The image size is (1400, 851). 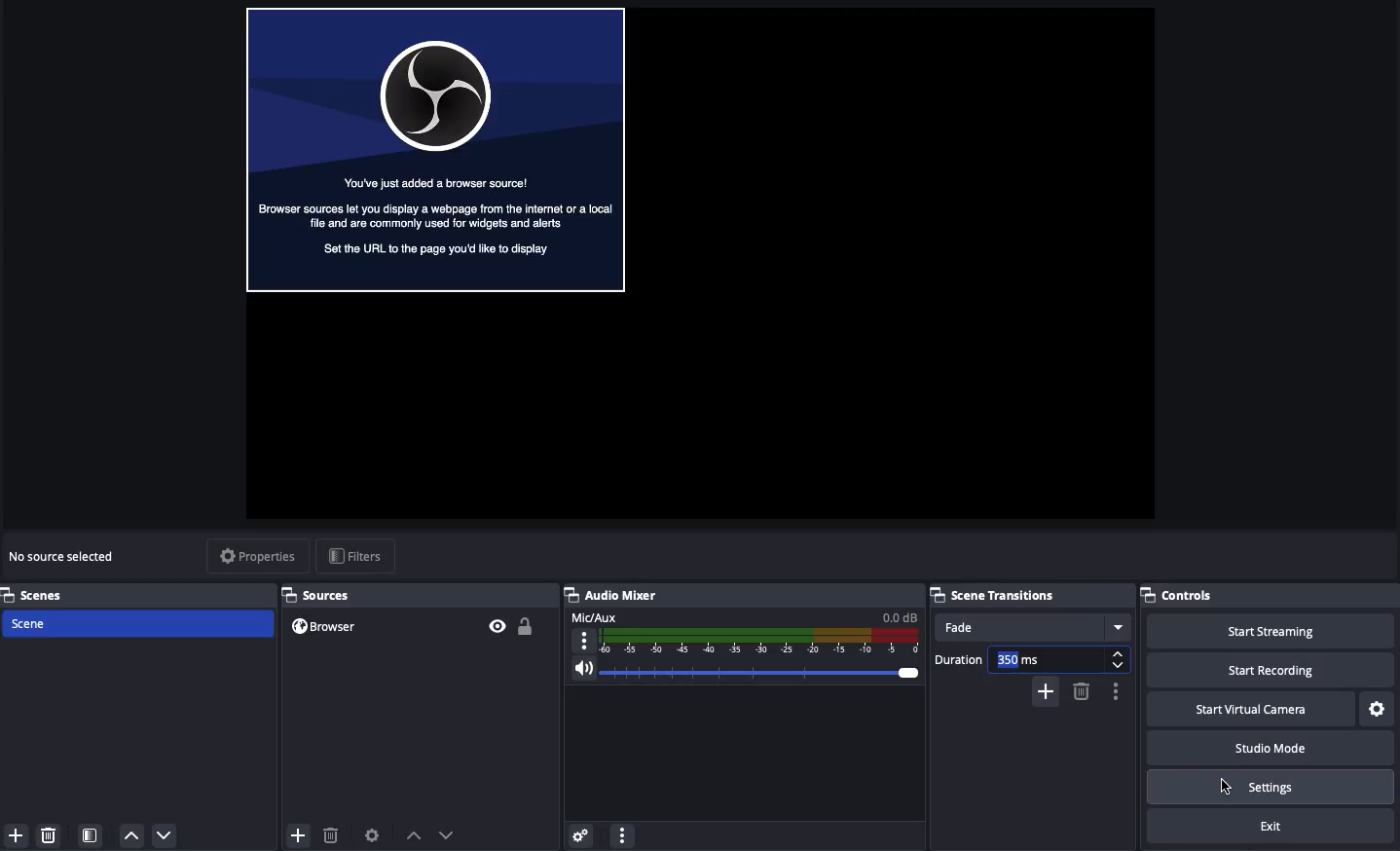 I want to click on Audio mixer, so click(x=738, y=596).